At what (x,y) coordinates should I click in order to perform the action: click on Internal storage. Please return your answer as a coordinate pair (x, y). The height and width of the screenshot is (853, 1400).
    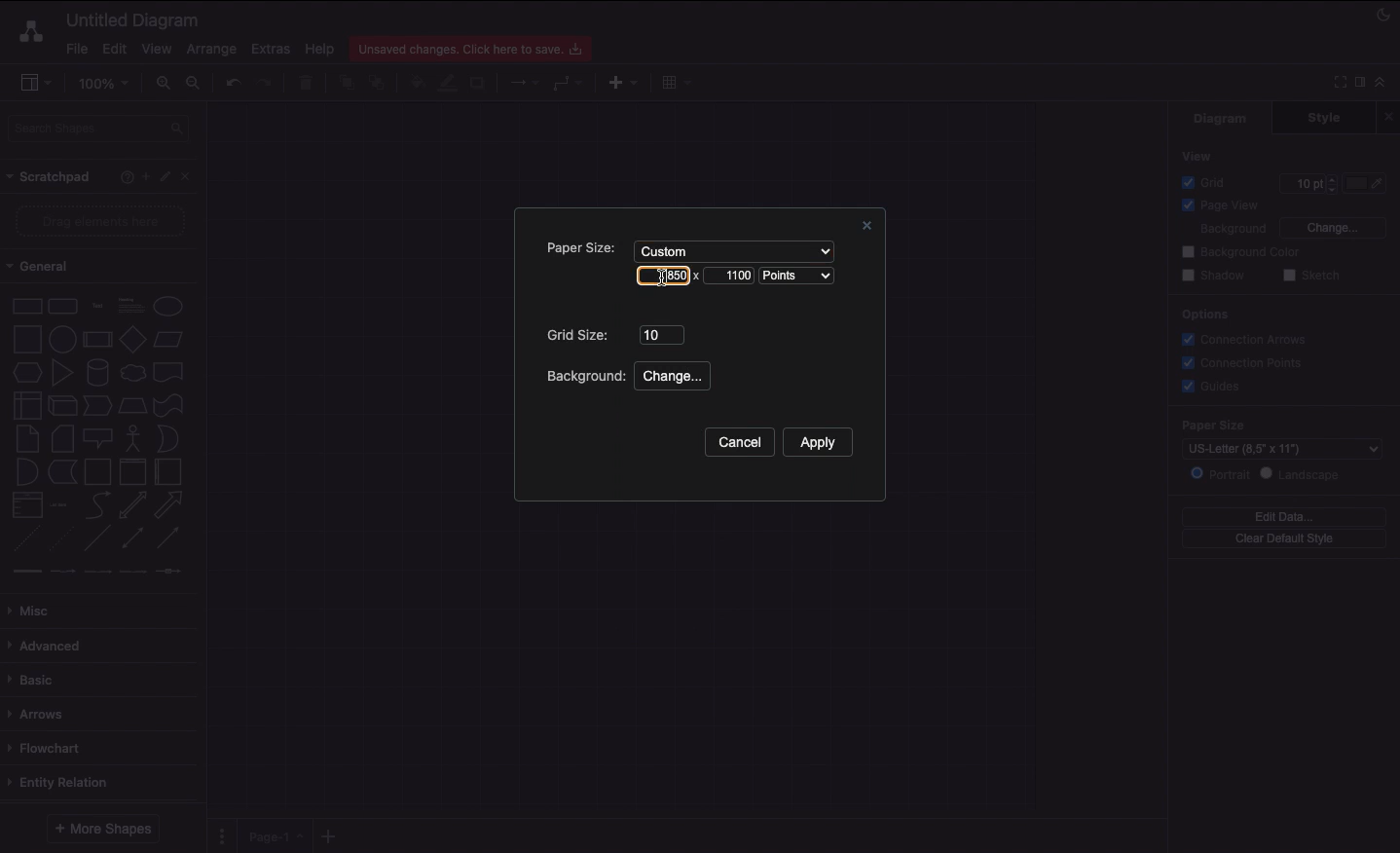
    Looking at the image, I should click on (26, 404).